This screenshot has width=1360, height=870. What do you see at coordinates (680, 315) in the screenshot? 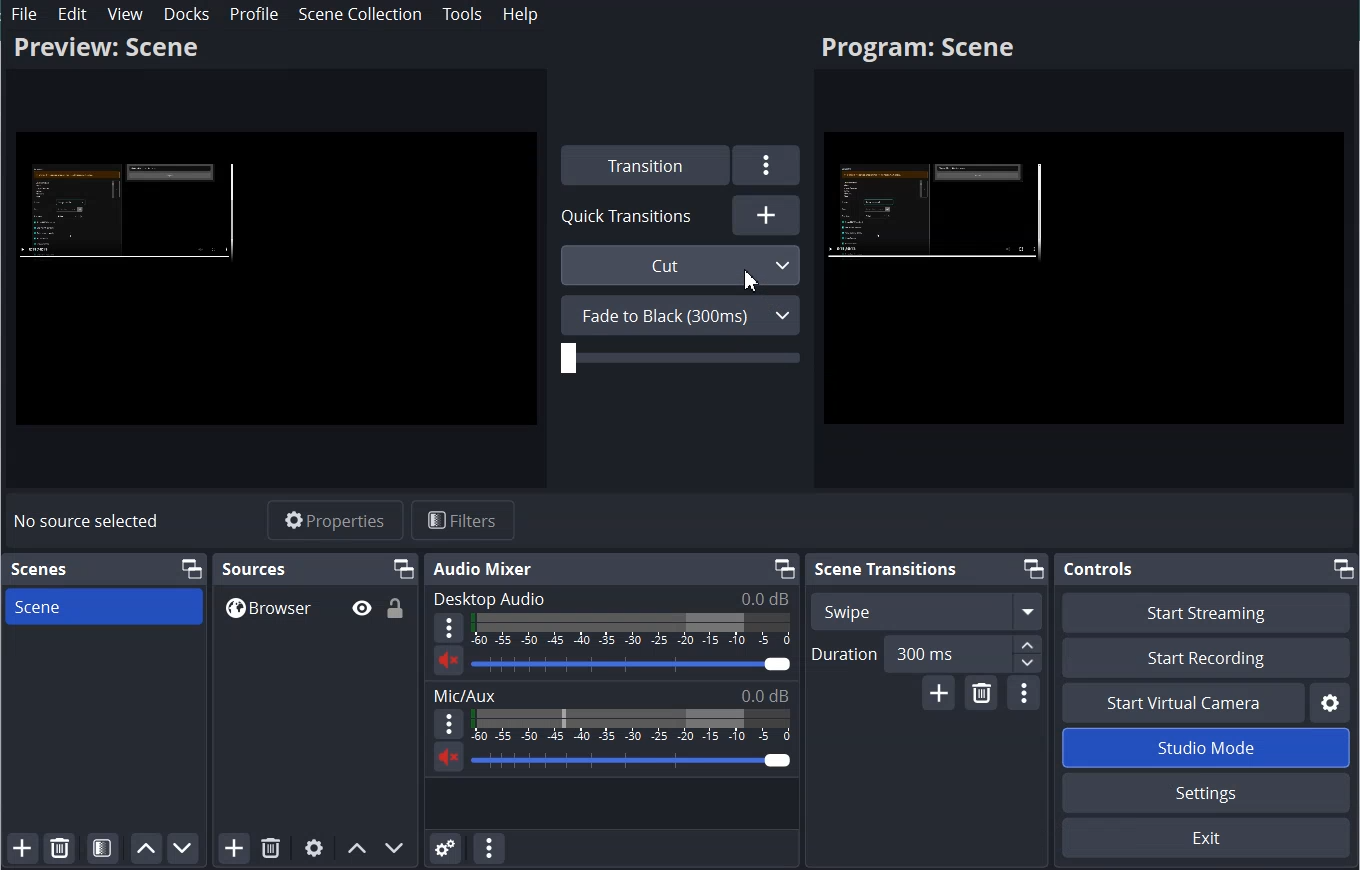
I see `Fade to Black` at bounding box center [680, 315].